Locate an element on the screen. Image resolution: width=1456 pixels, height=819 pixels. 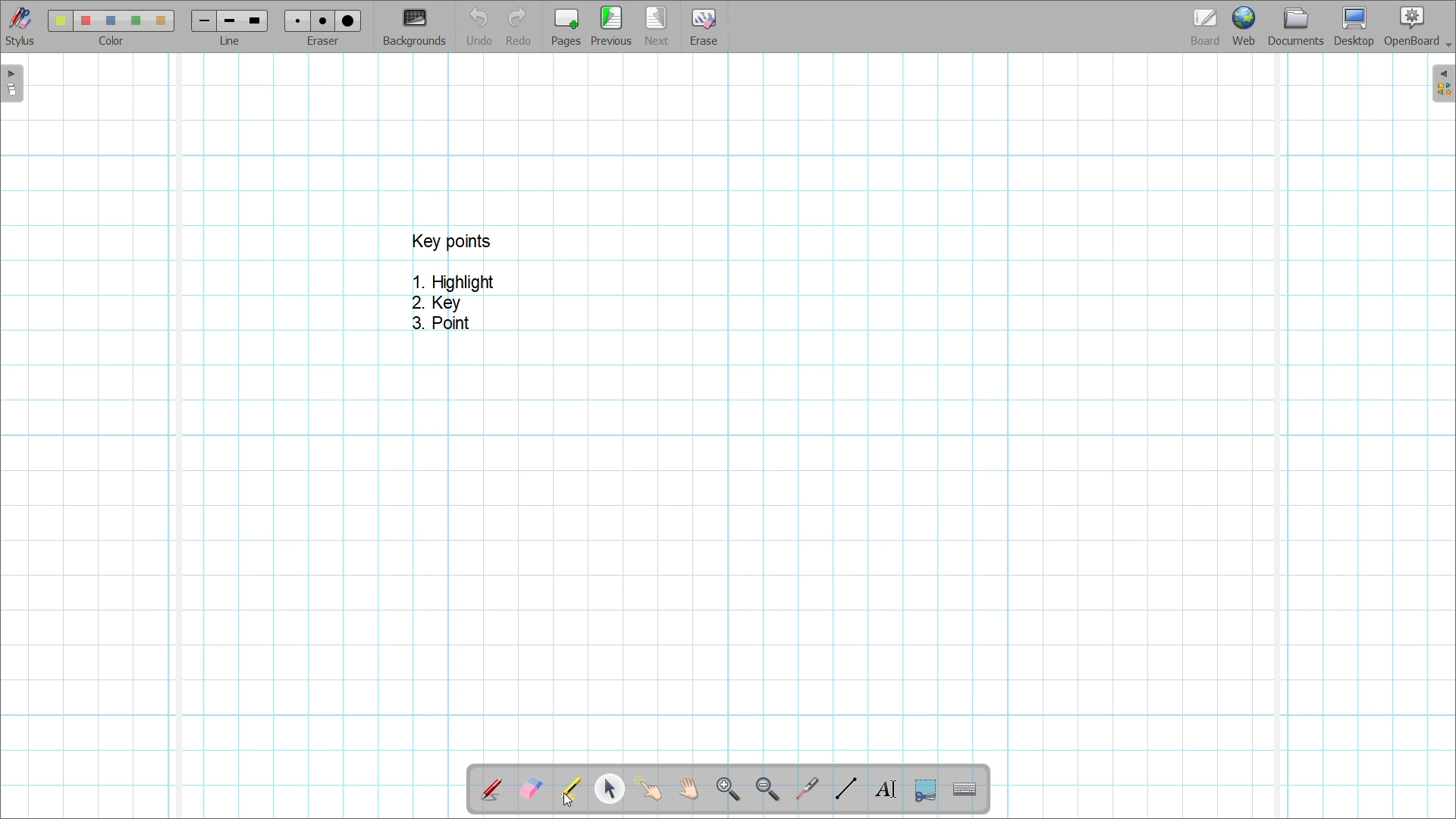
Cursor clicking on highlight is located at coordinates (570, 801).